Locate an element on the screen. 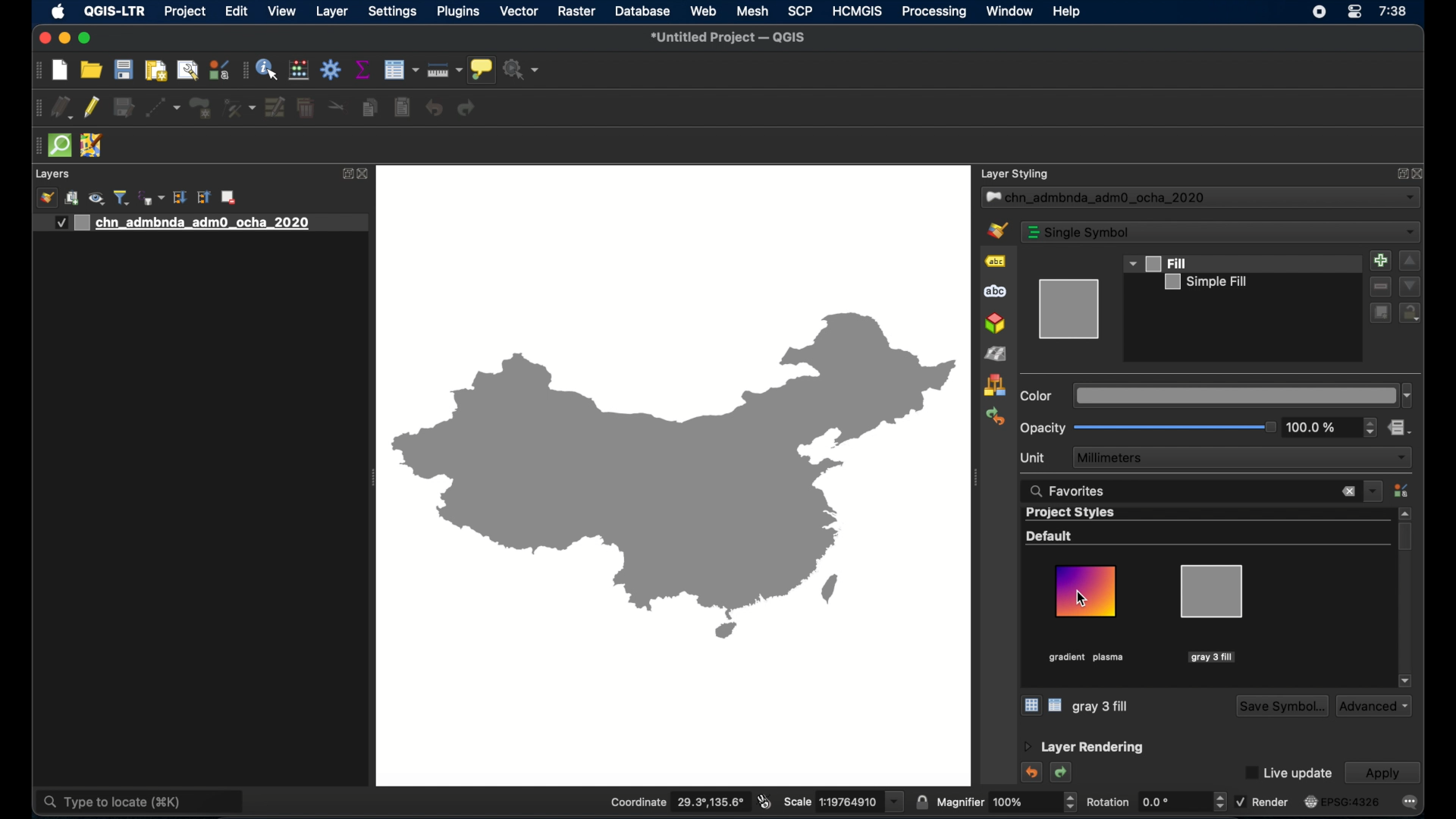  symbology is located at coordinates (996, 231).